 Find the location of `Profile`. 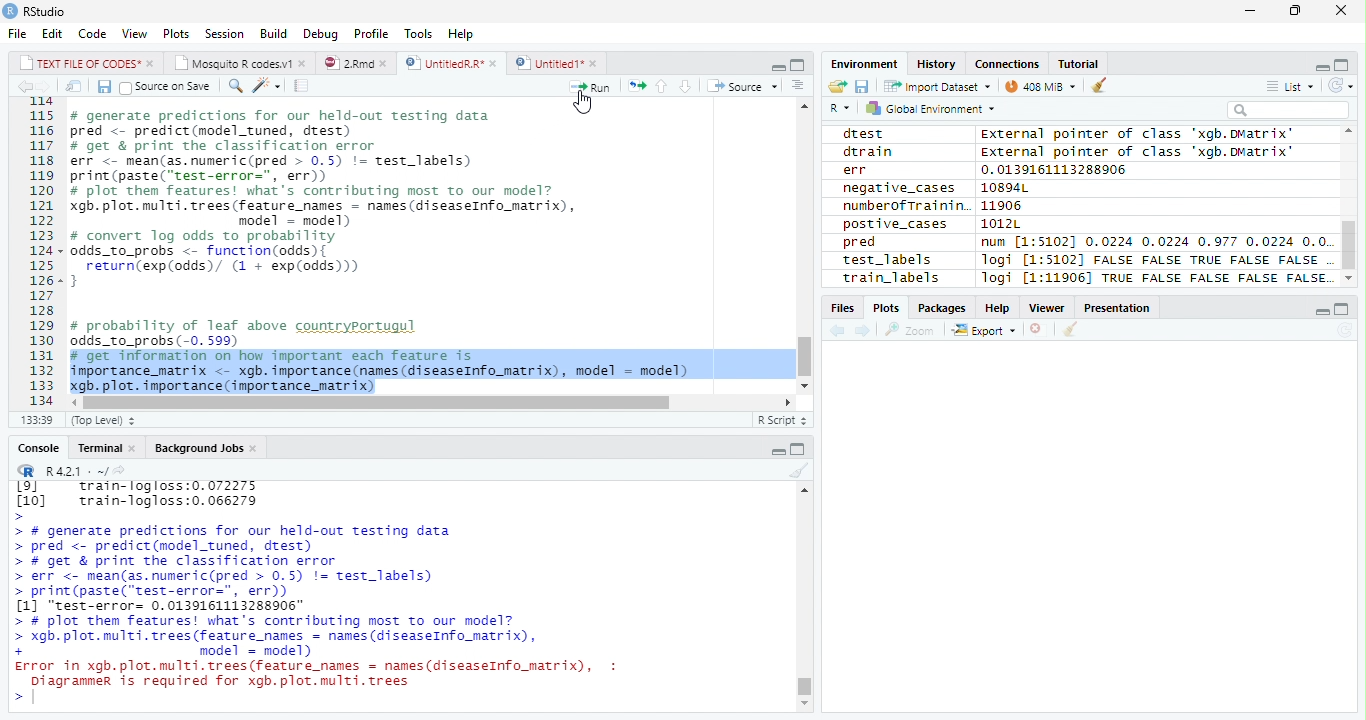

Profile is located at coordinates (372, 33).